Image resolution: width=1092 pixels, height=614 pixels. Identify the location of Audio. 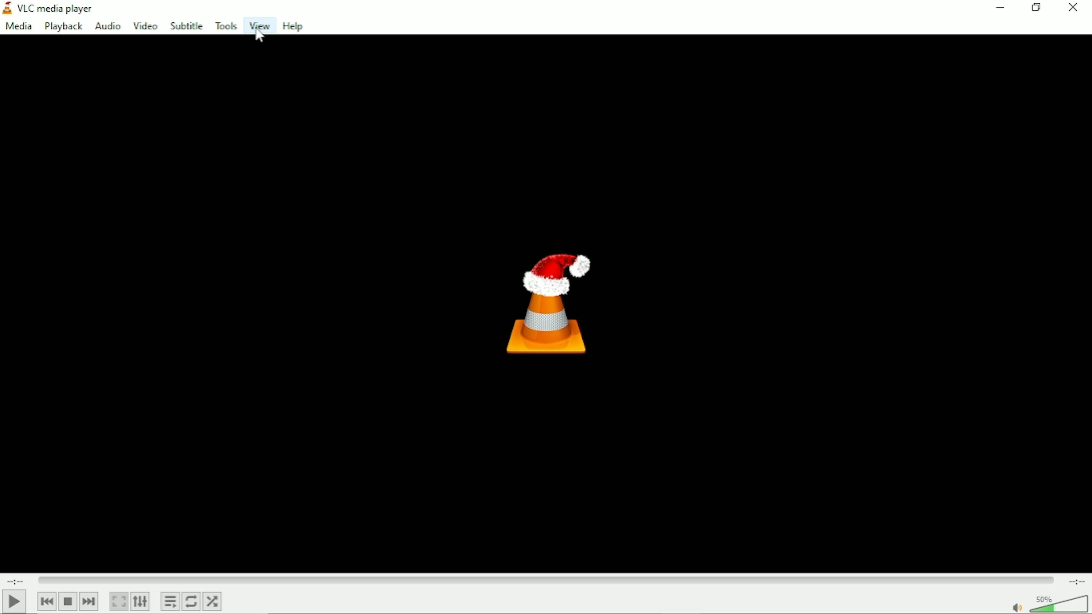
(107, 27).